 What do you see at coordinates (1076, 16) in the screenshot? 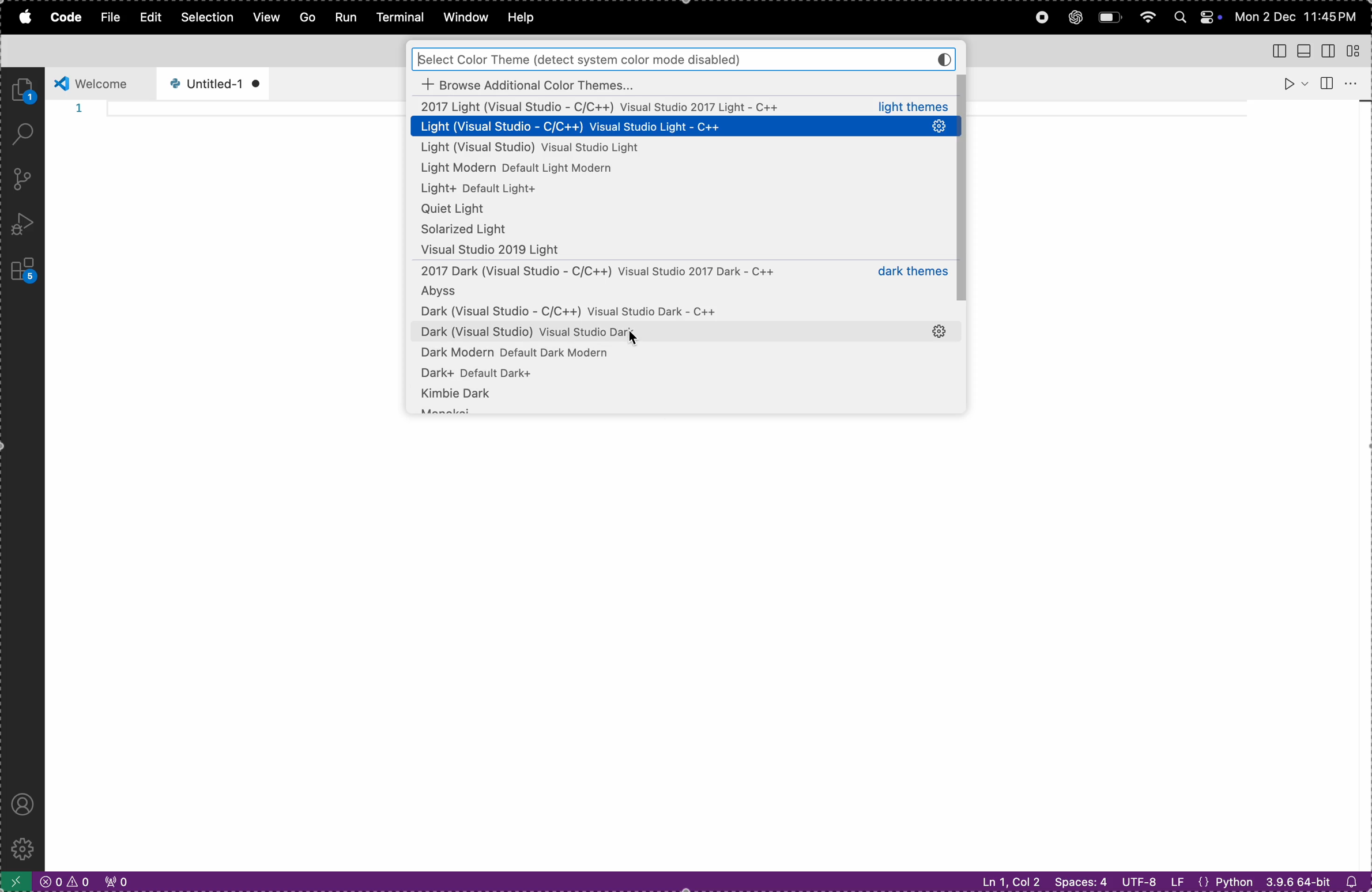
I see `chatgpt` at bounding box center [1076, 16].